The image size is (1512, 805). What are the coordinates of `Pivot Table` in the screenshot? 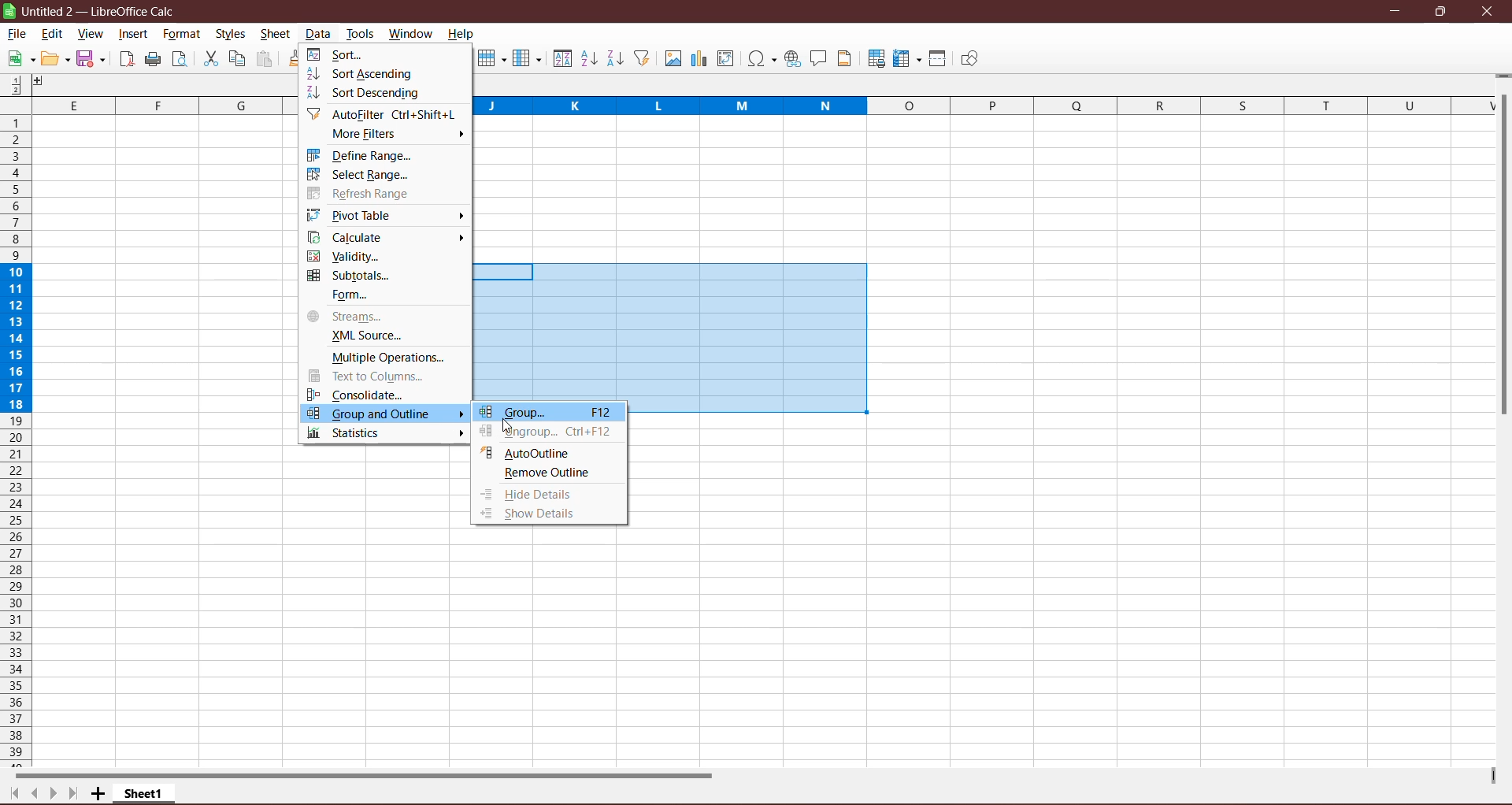 It's located at (355, 215).